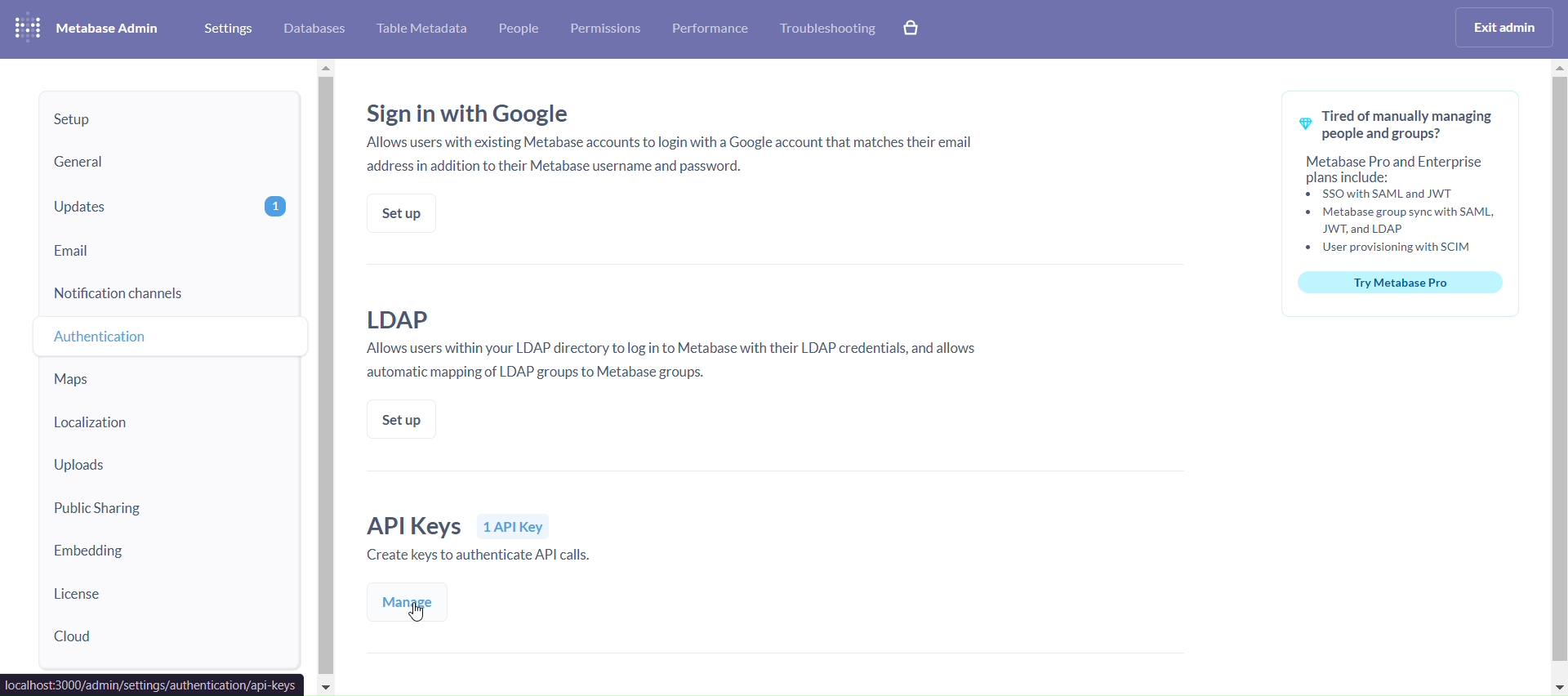 This screenshot has height=696, width=1568. What do you see at coordinates (171, 336) in the screenshot?
I see `authentiaction` at bounding box center [171, 336].